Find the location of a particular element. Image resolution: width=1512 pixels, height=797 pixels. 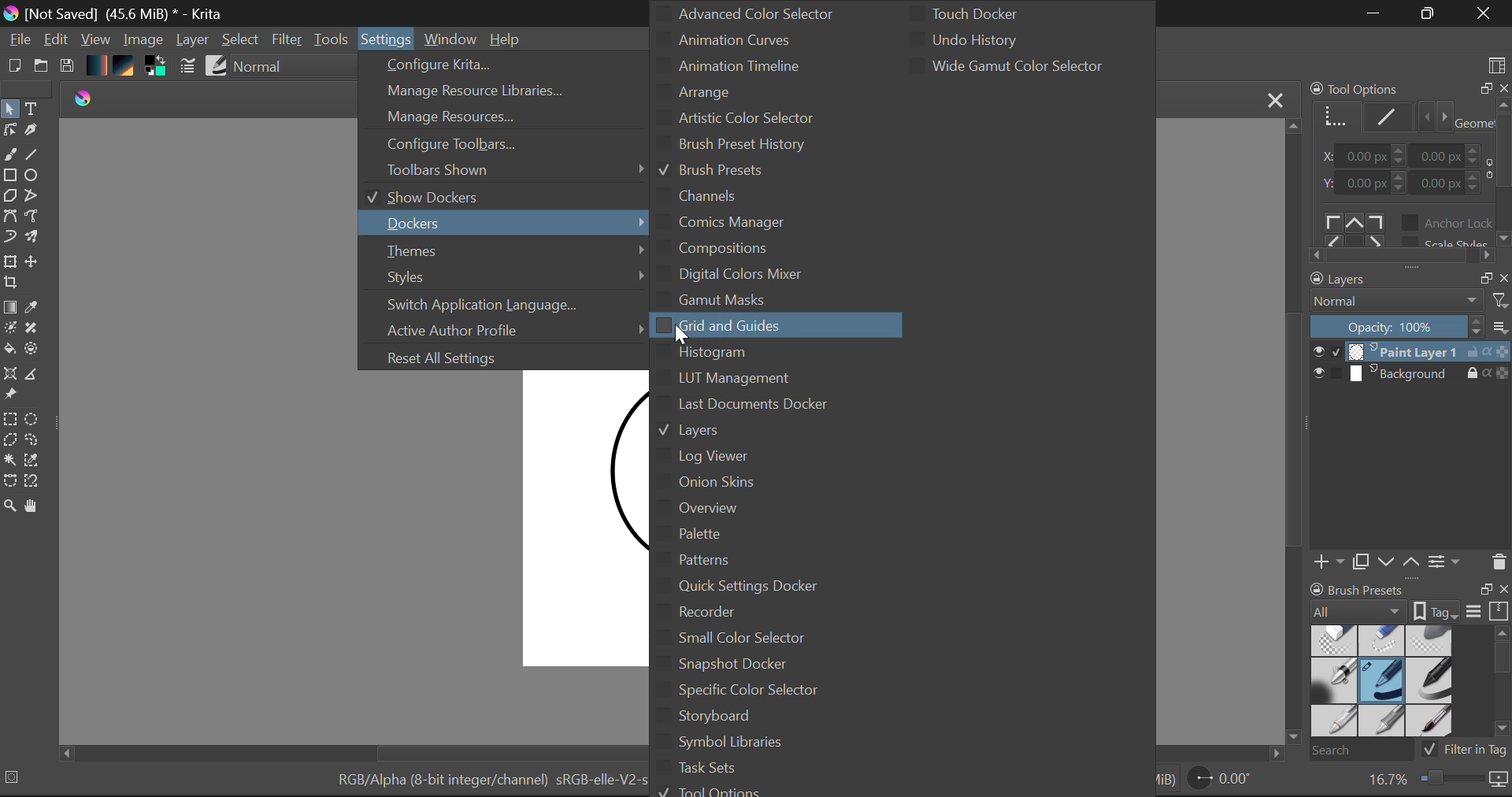

Text is located at coordinates (32, 108).